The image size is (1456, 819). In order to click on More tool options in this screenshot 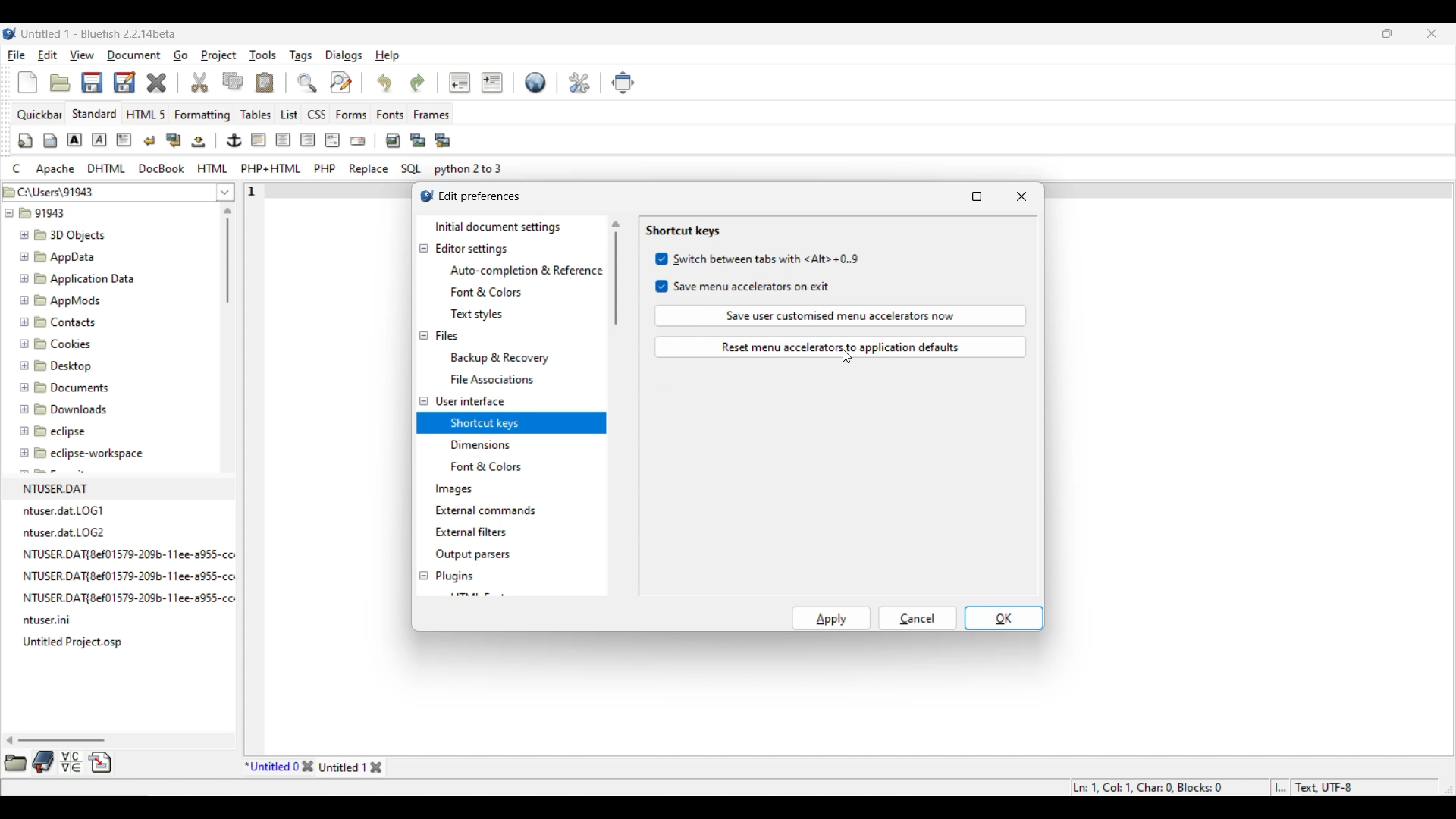, I will do `click(58, 762)`.